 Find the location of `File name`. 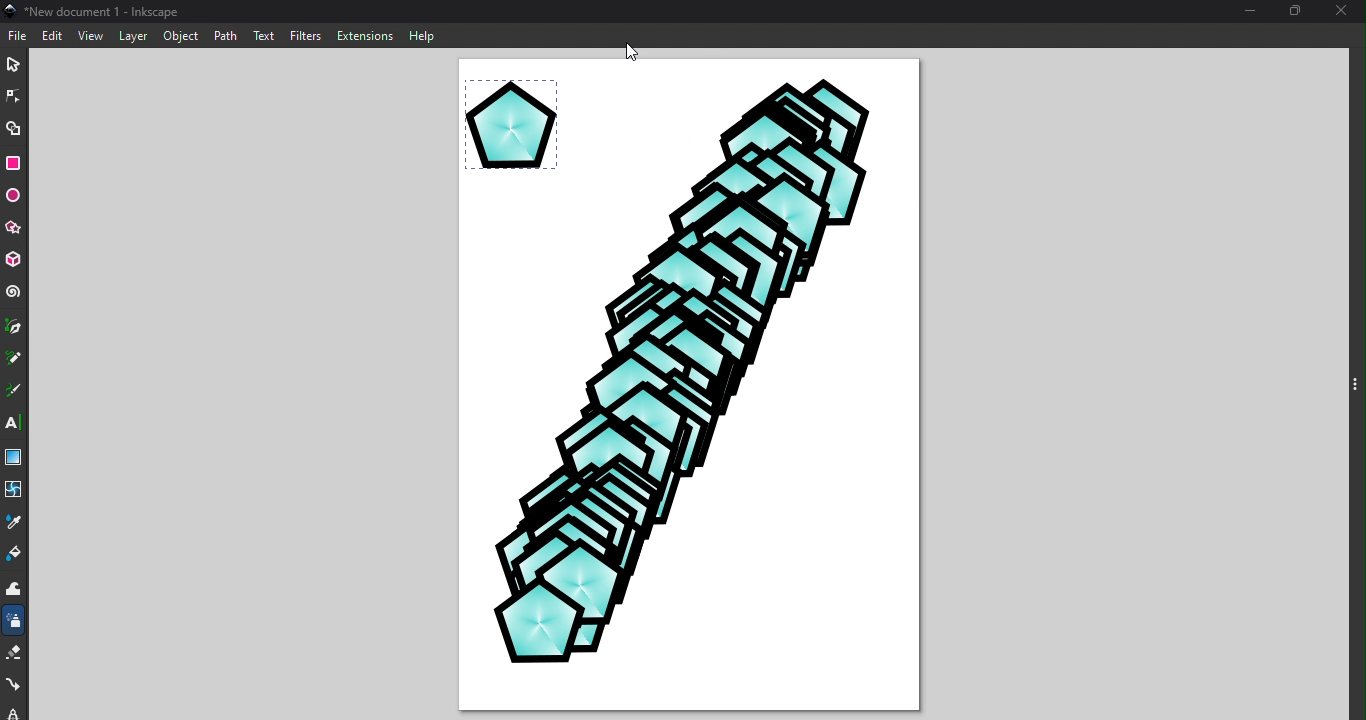

File name is located at coordinates (92, 10).